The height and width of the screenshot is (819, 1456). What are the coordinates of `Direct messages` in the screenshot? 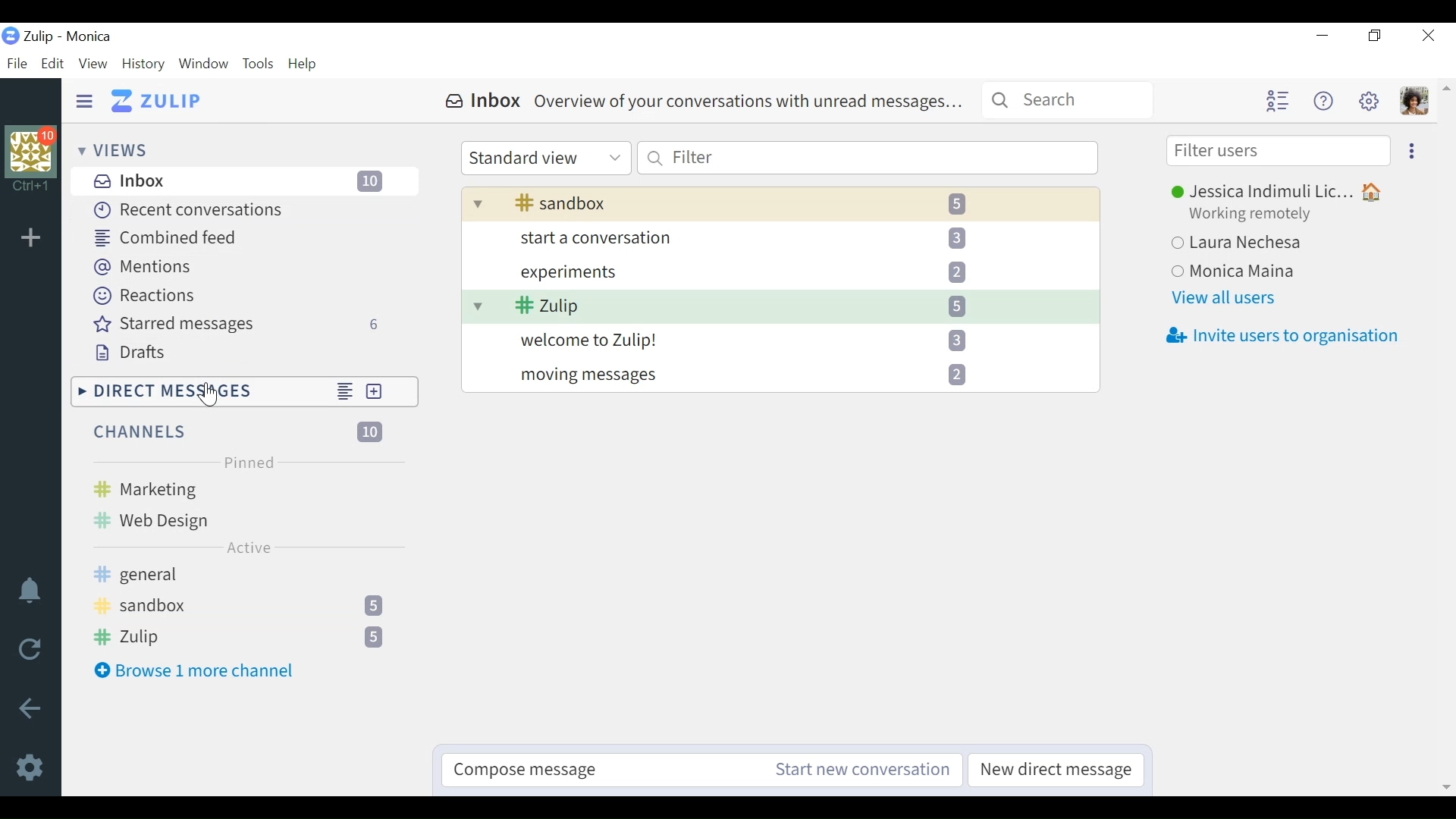 It's located at (199, 391).